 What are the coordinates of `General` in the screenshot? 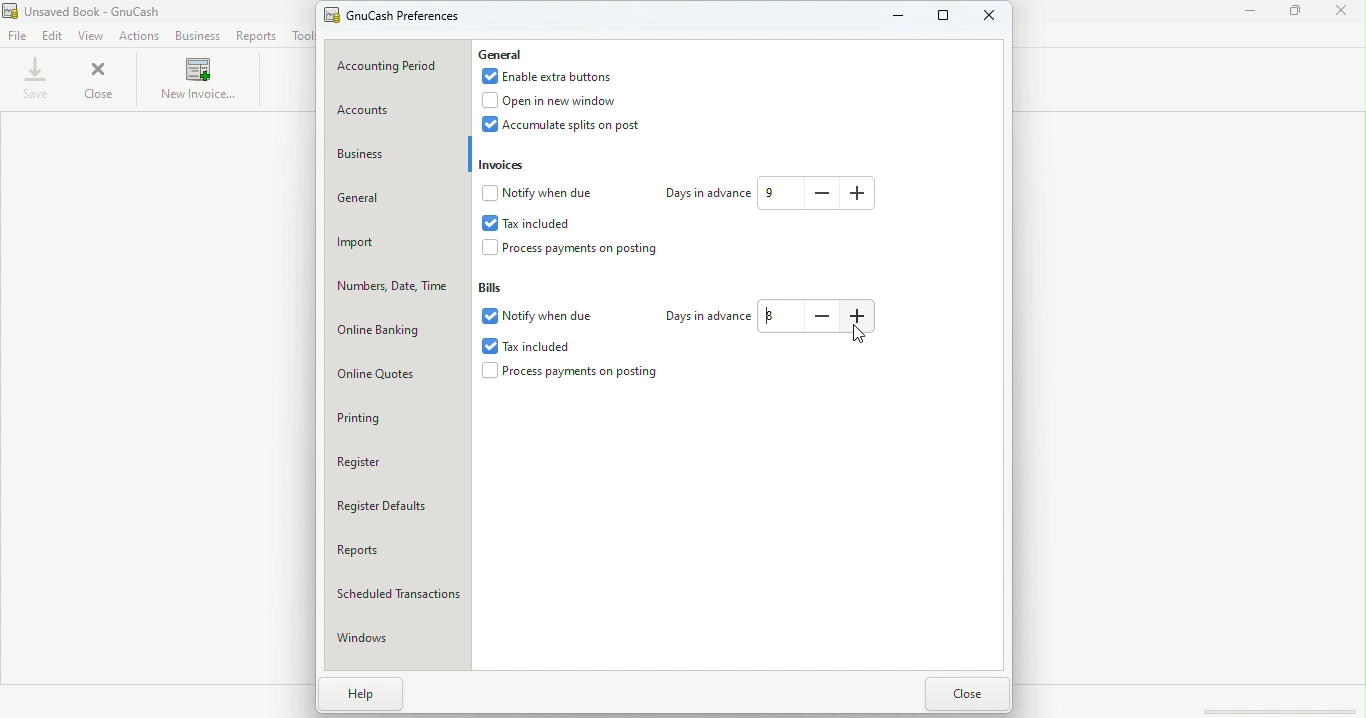 It's located at (395, 200).